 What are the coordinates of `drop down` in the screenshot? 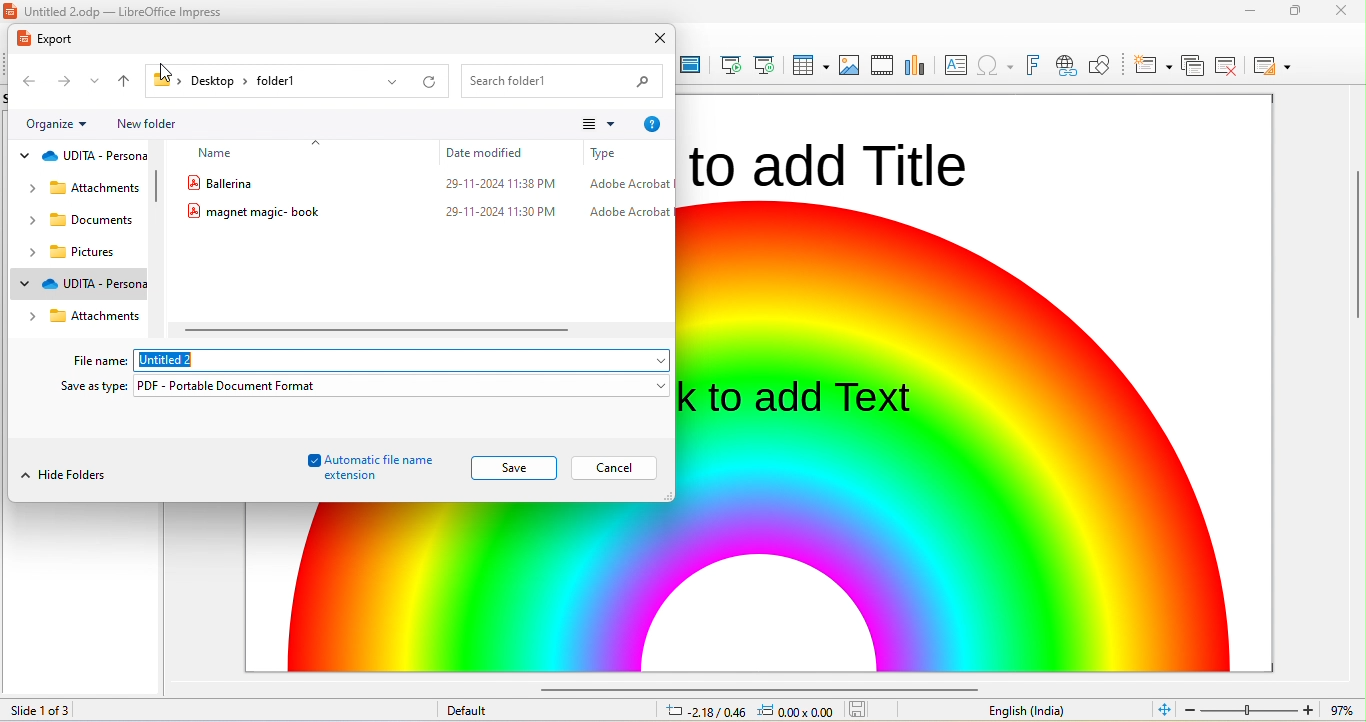 It's located at (654, 360).